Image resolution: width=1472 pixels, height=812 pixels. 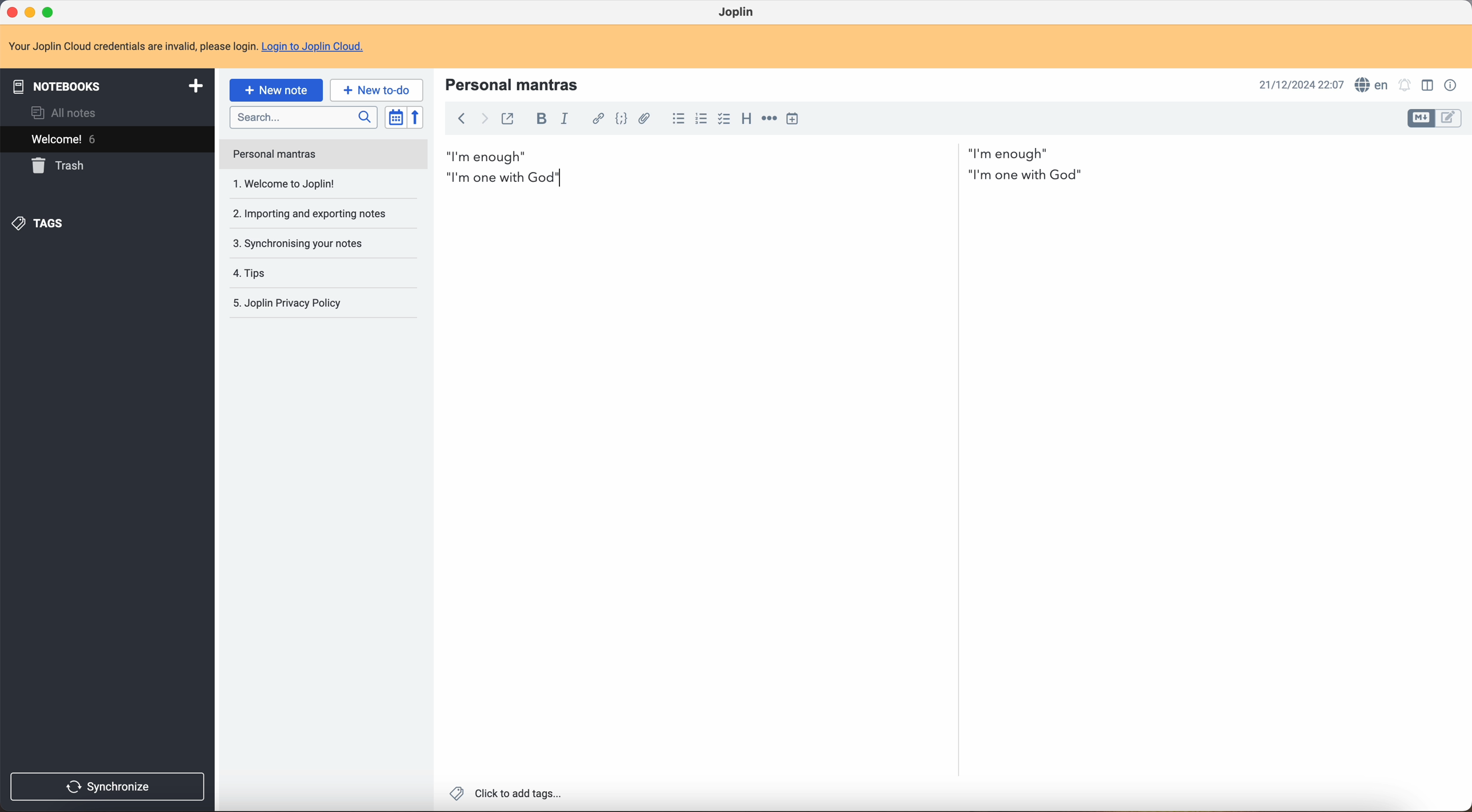 I want to click on toggle edit layout, so click(x=1422, y=119).